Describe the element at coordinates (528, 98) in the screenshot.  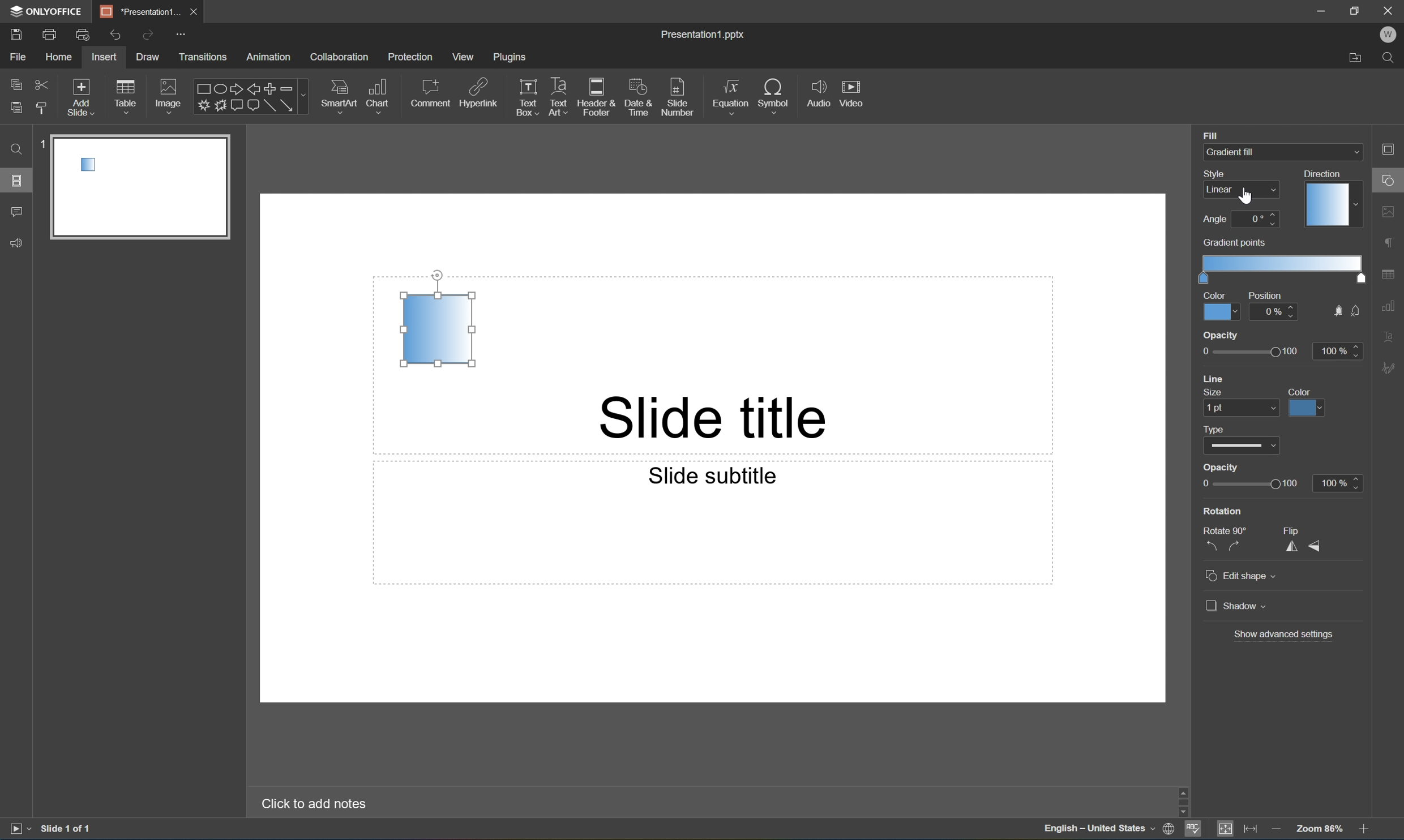
I see `Text Box` at that location.